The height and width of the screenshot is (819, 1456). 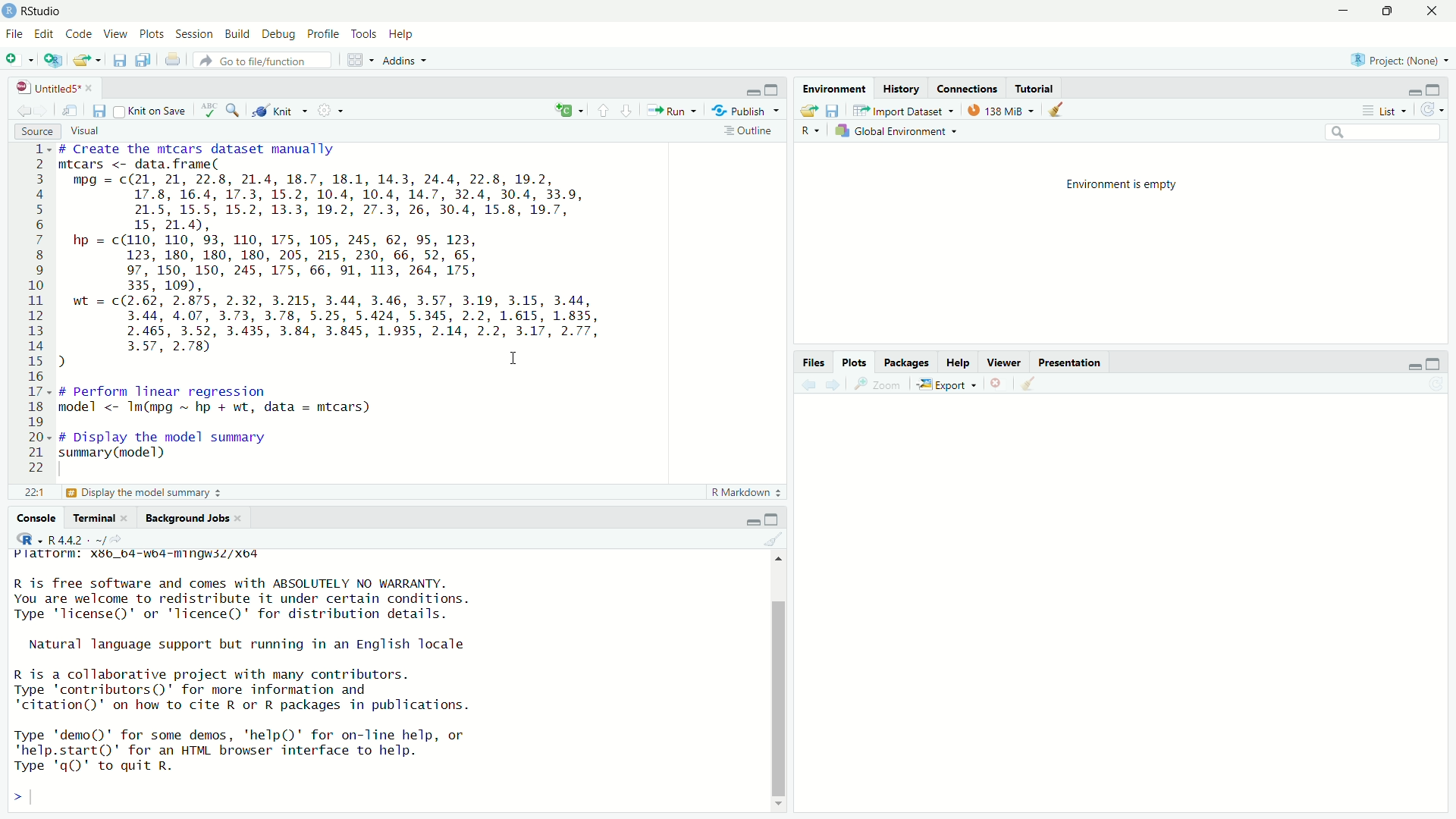 What do you see at coordinates (1387, 11) in the screenshot?
I see `maximize` at bounding box center [1387, 11].